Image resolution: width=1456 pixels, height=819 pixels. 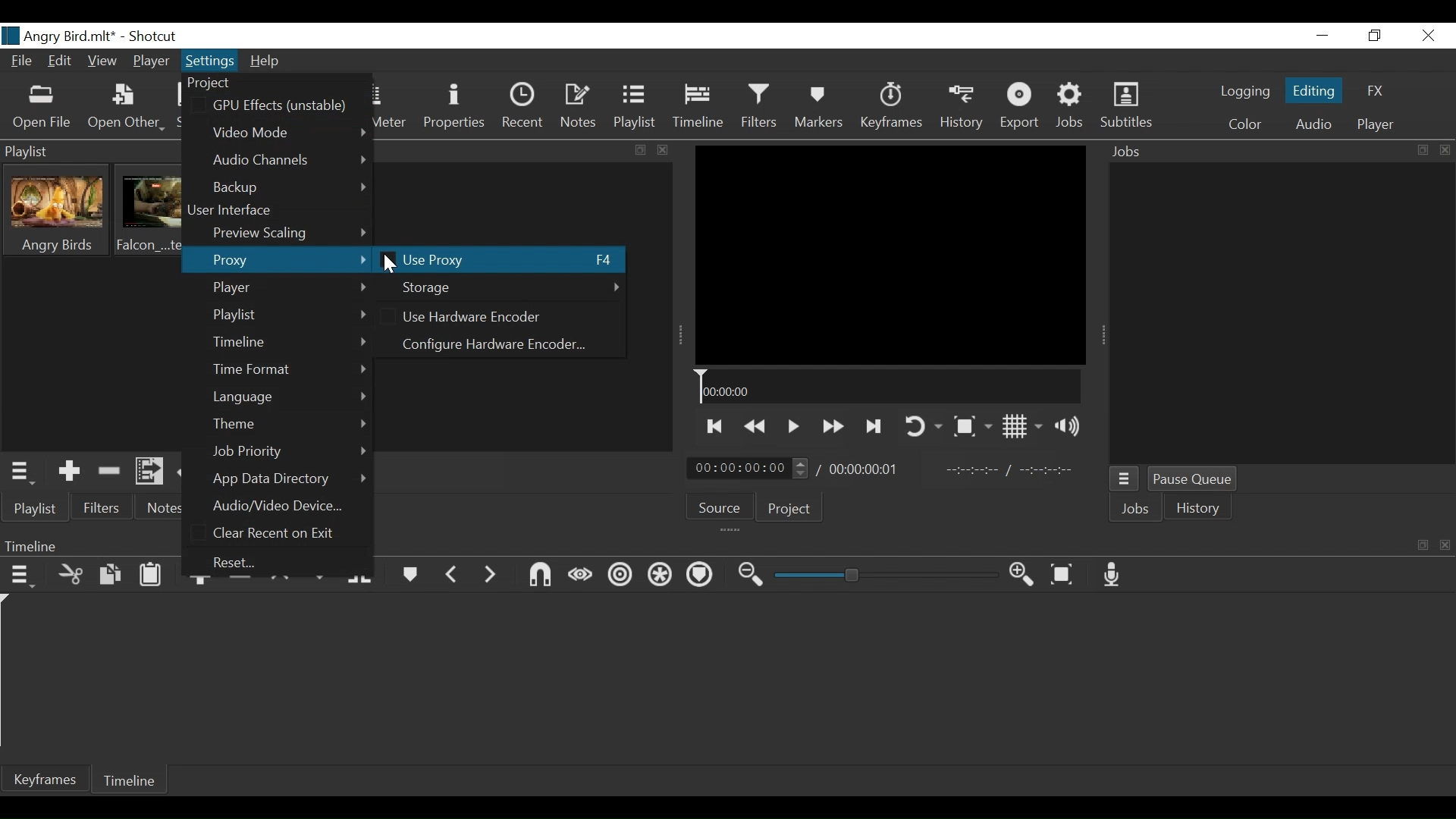 I want to click on Timeline, so click(x=886, y=386).